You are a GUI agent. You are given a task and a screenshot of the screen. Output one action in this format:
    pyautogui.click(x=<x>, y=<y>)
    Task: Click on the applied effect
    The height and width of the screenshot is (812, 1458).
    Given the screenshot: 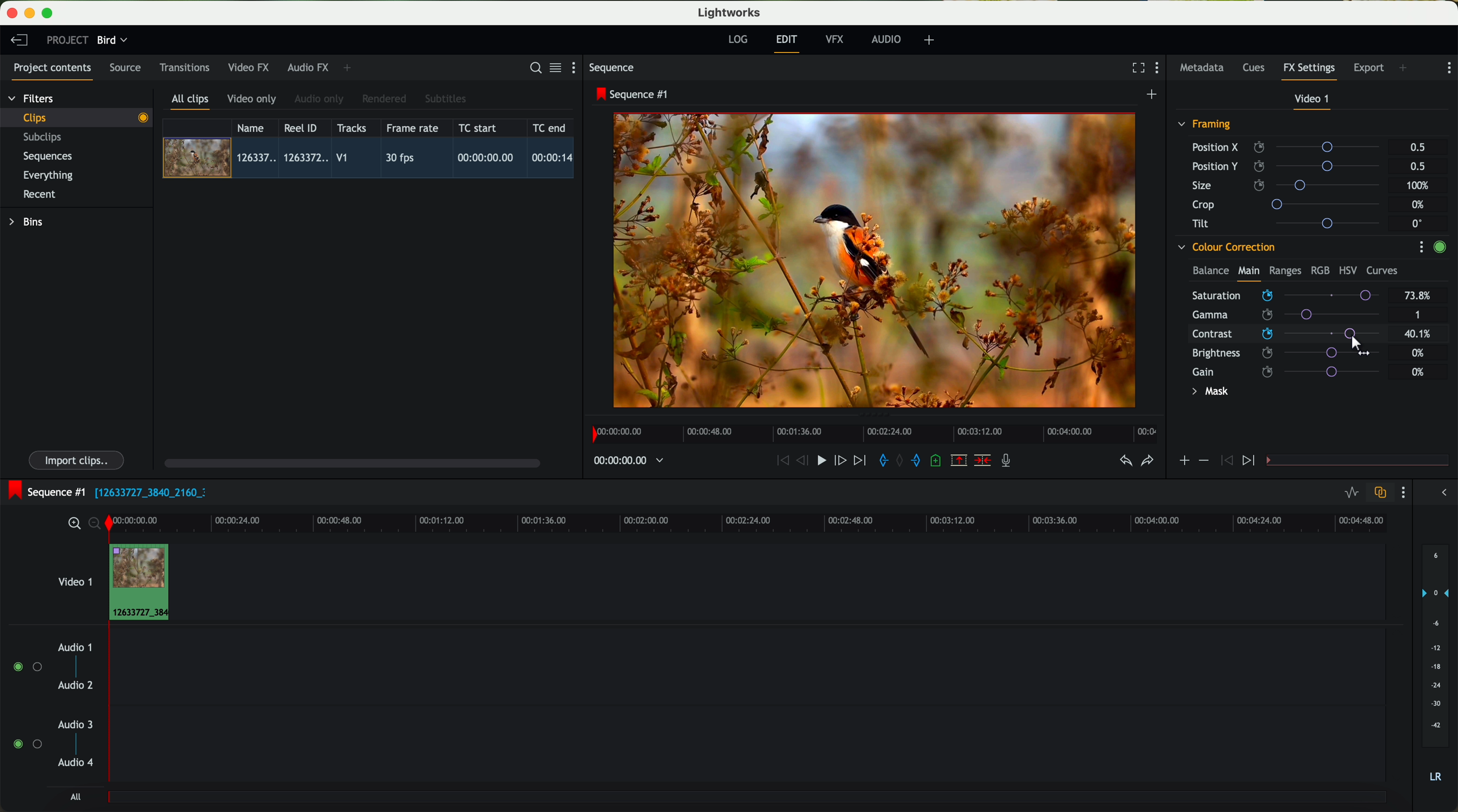 What is the action you would take?
    pyautogui.click(x=877, y=260)
    